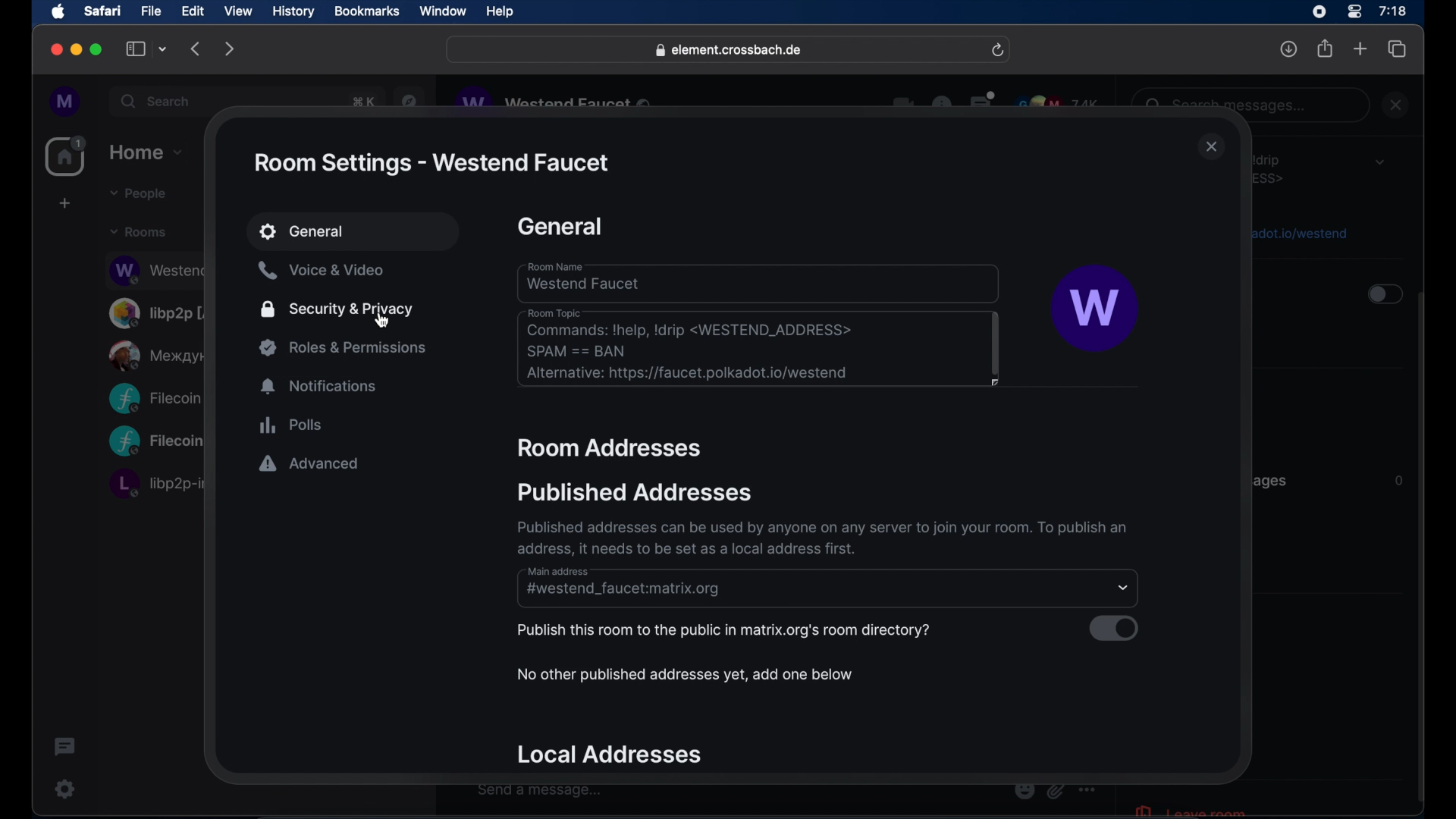  Describe the element at coordinates (321, 271) in the screenshot. I see `voice and video` at that location.